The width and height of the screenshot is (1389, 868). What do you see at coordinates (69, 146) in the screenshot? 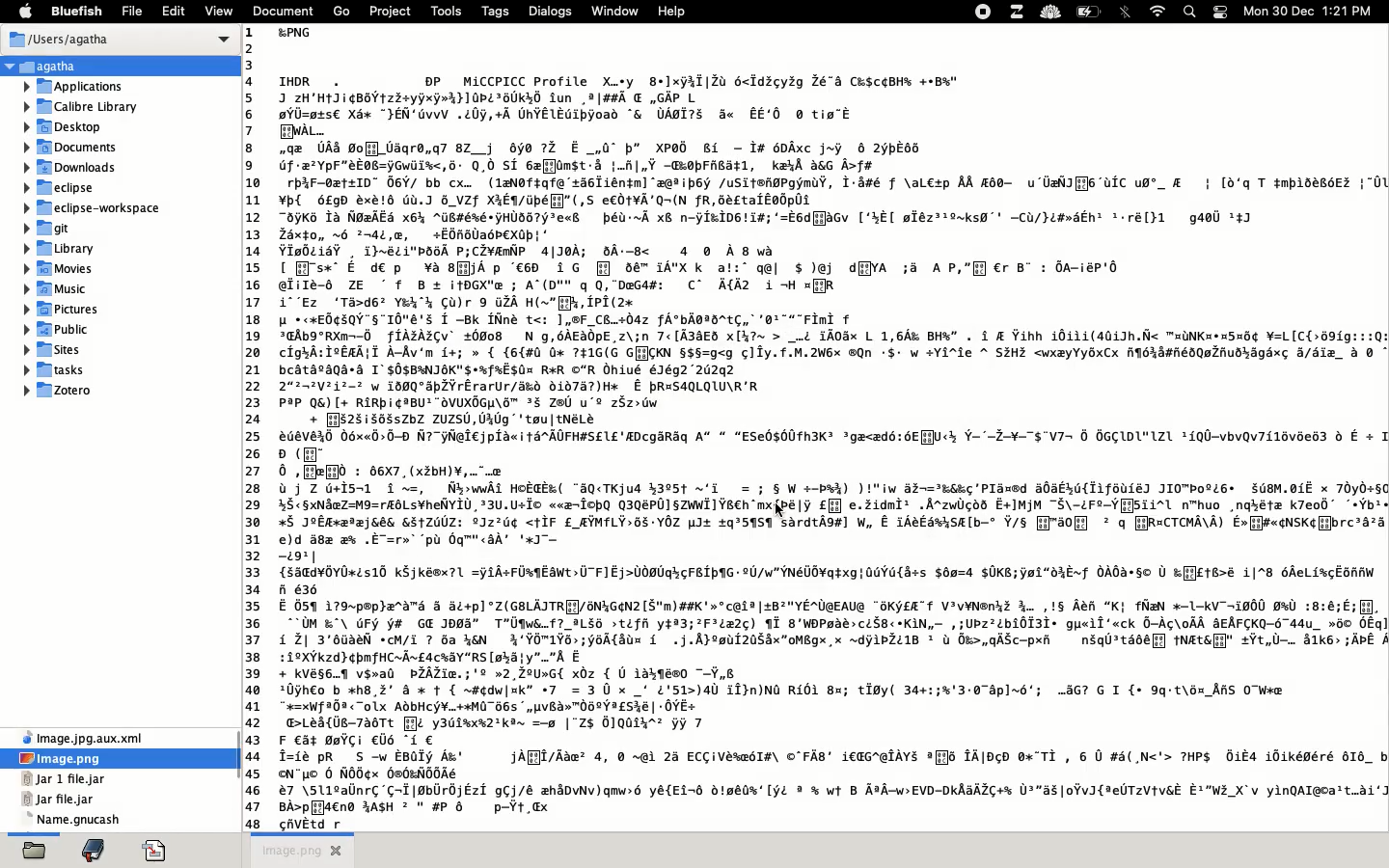
I see `documents` at bounding box center [69, 146].